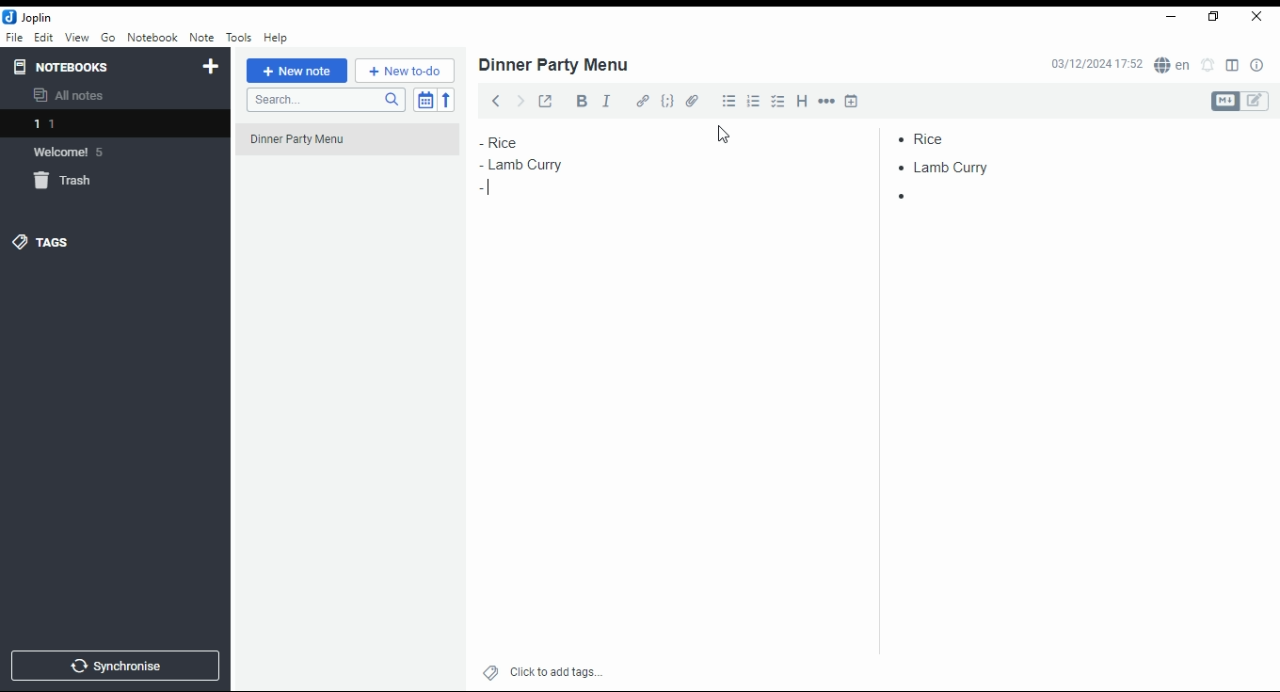  Describe the element at coordinates (276, 38) in the screenshot. I see `help` at that location.